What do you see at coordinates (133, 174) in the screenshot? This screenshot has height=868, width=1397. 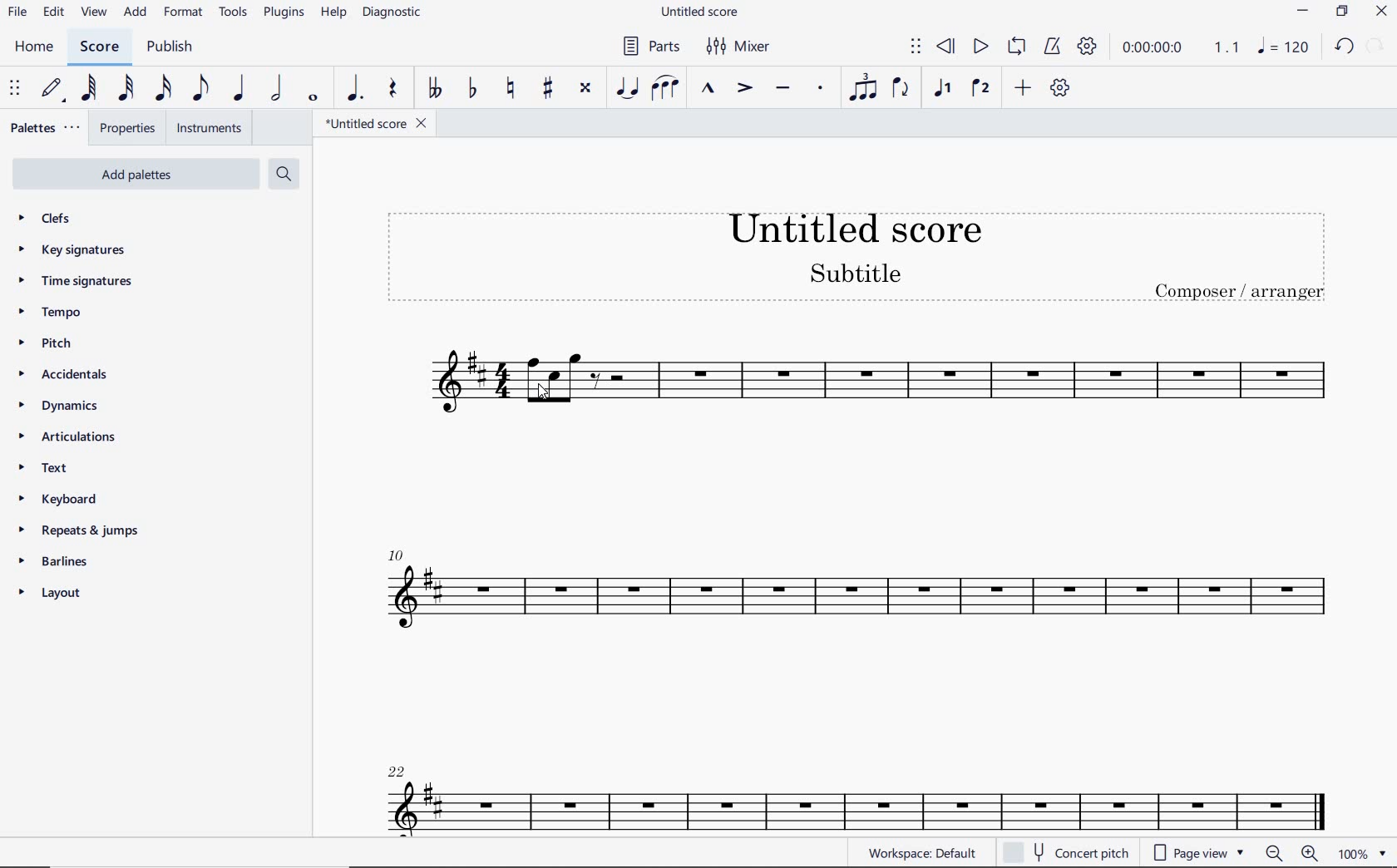 I see `ADD PALETTES` at bounding box center [133, 174].